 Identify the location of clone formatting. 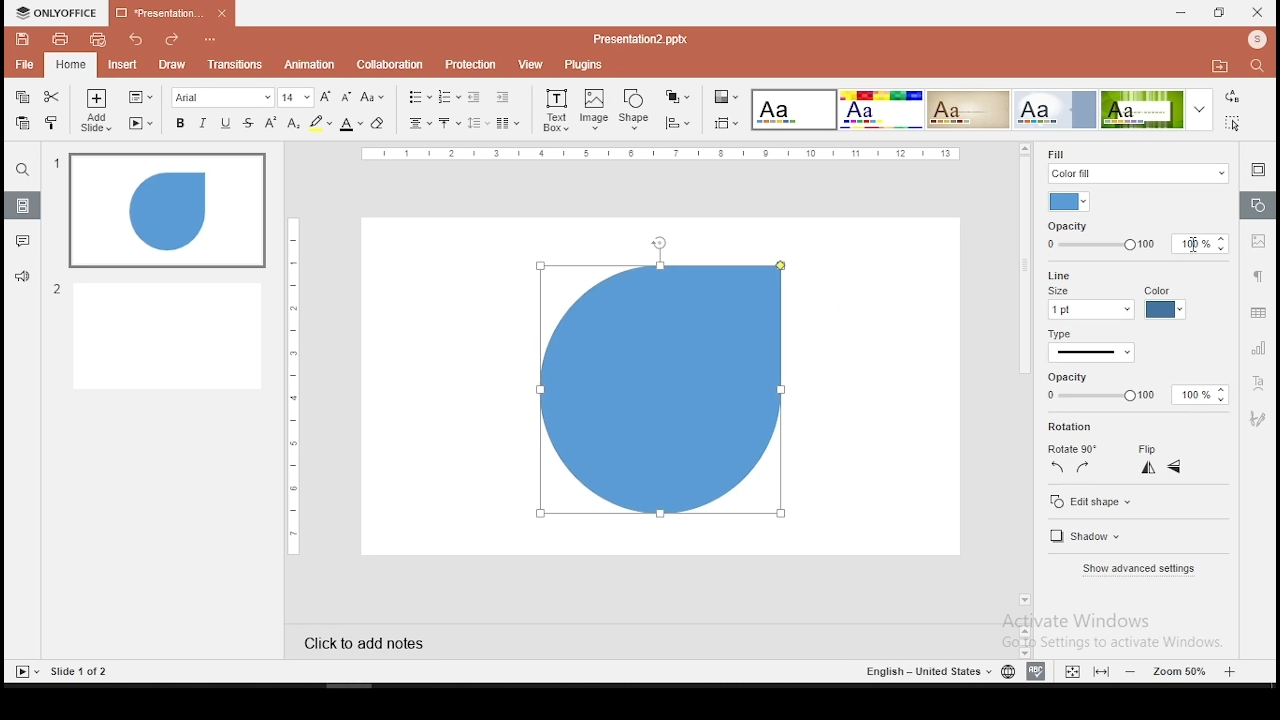
(52, 121).